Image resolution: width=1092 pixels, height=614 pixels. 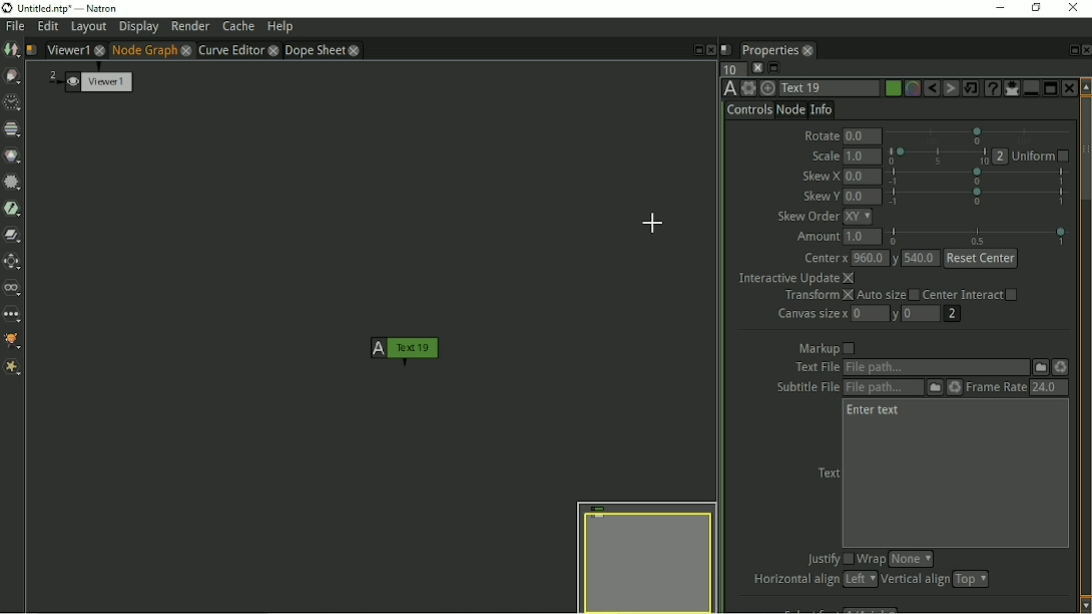 What do you see at coordinates (1076, 10) in the screenshot?
I see `Close` at bounding box center [1076, 10].